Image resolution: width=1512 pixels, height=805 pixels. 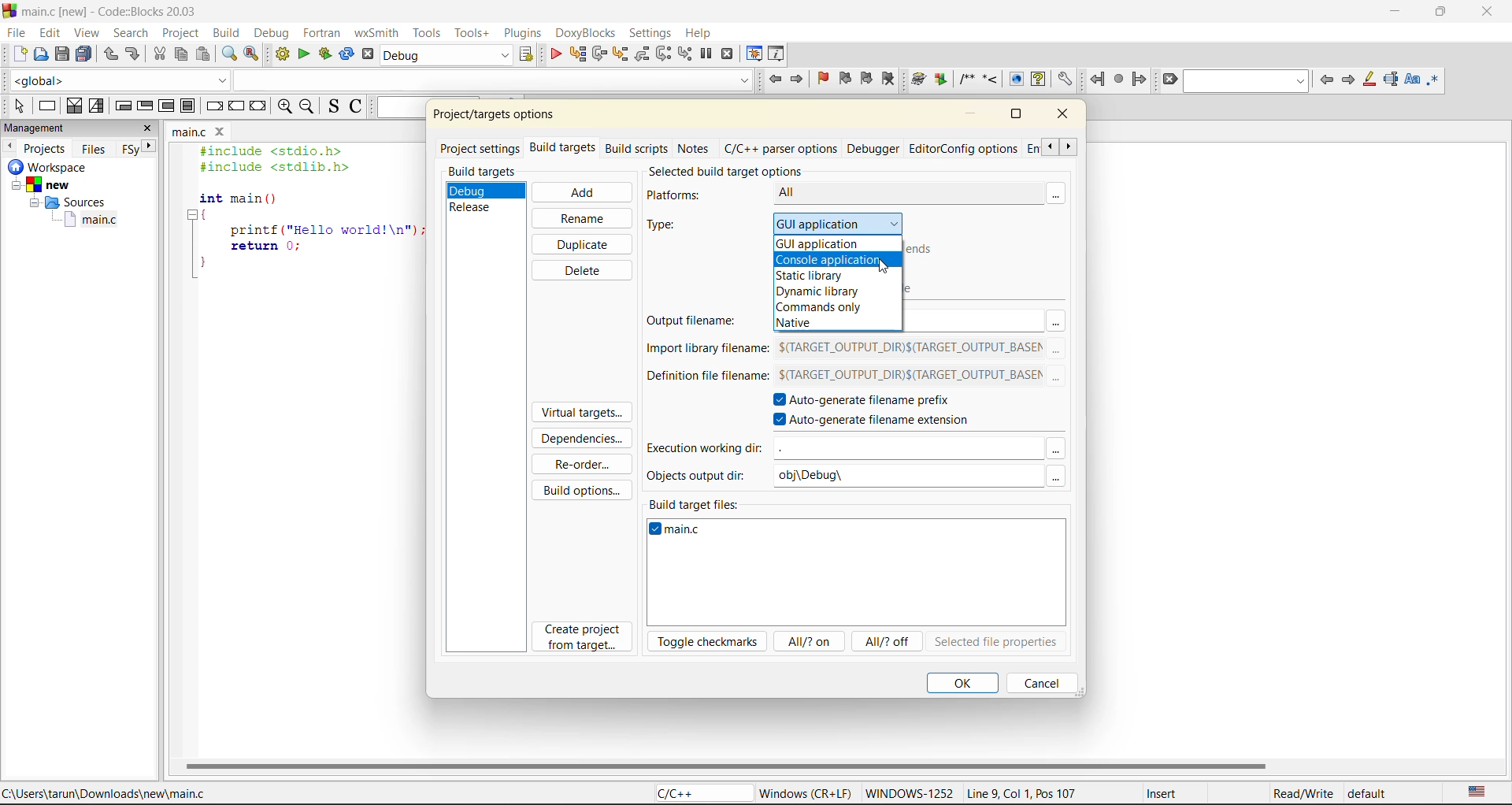 What do you see at coordinates (126, 12) in the screenshot?
I see `main.c [new] - Code::Blocks 20.03` at bounding box center [126, 12].